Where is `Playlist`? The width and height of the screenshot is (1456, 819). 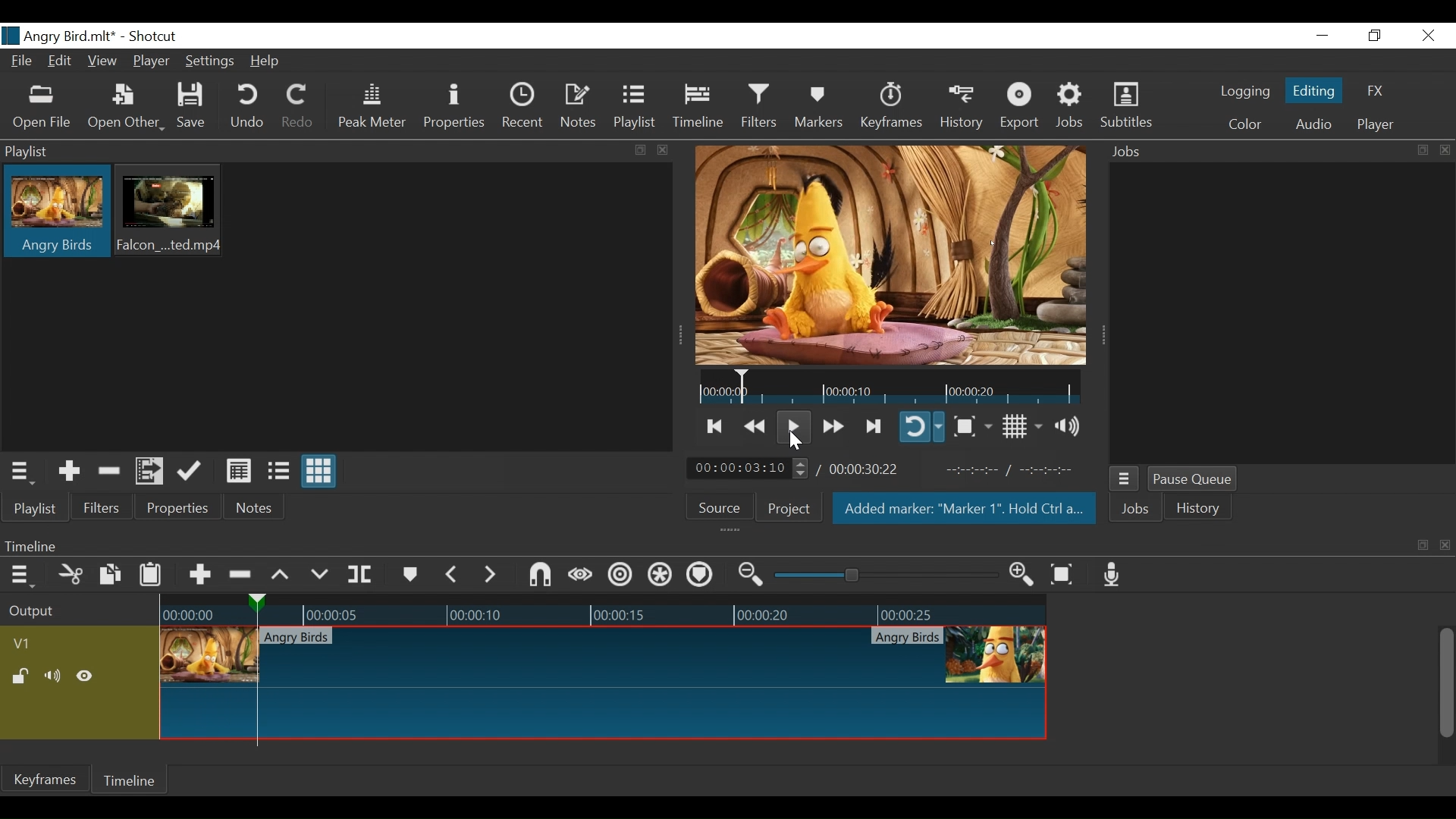
Playlist is located at coordinates (638, 108).